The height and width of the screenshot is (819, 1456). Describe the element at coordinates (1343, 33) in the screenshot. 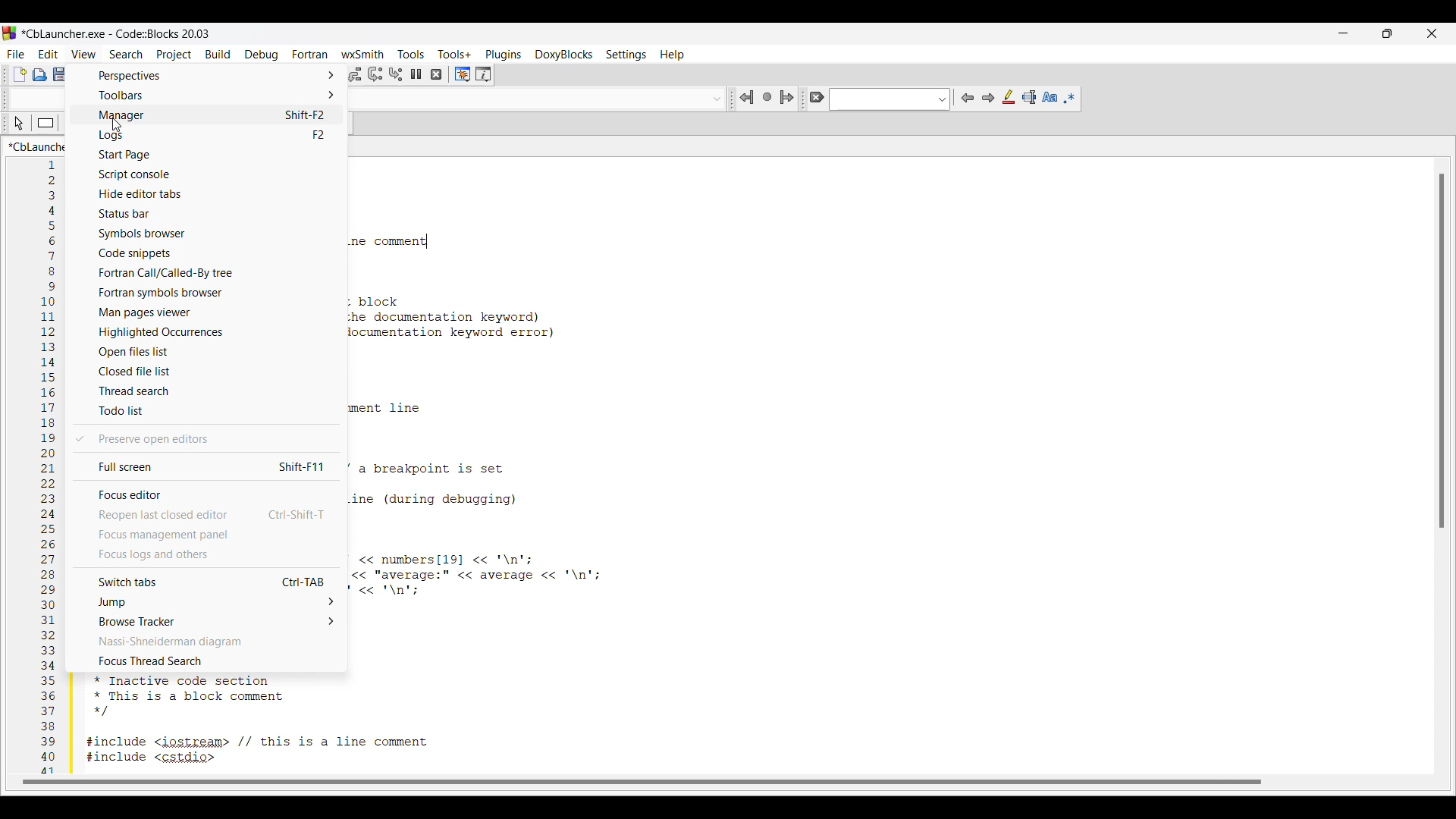

I see `Minimize` at that location.